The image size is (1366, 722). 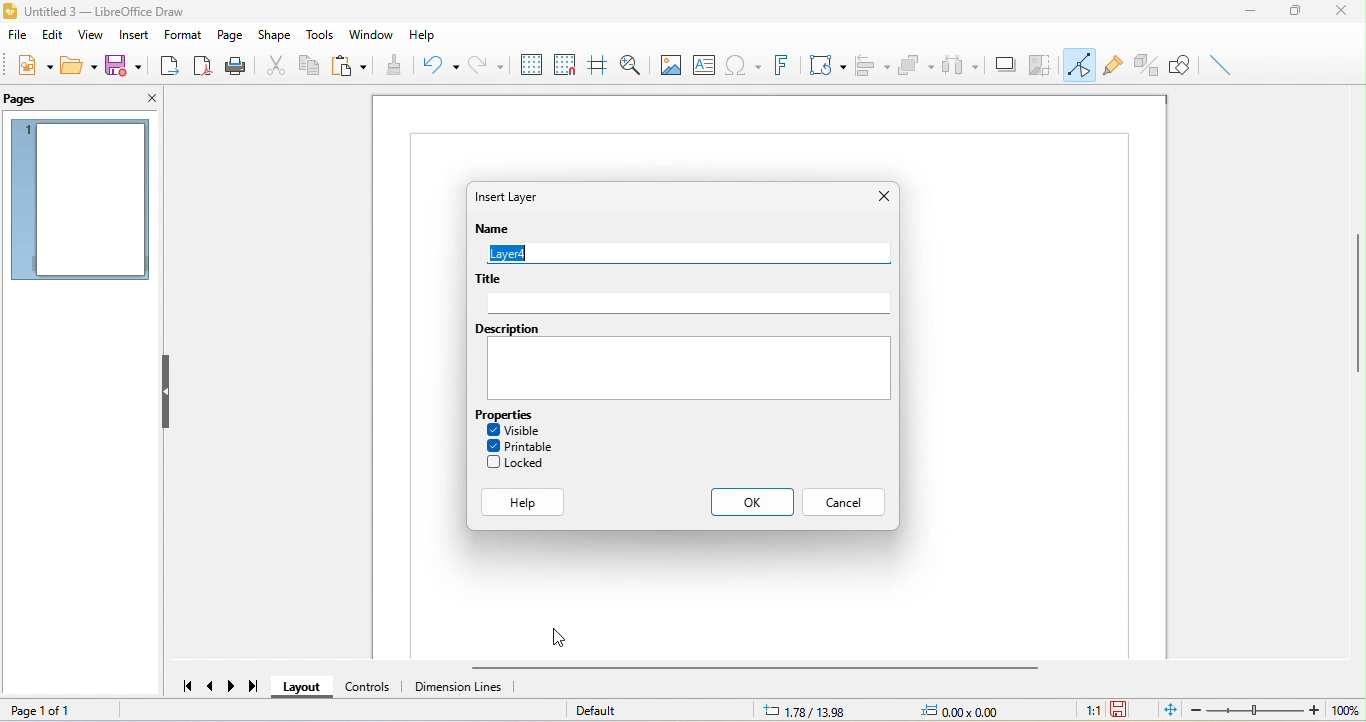 I want to click on page, so click(x=229, y=35).